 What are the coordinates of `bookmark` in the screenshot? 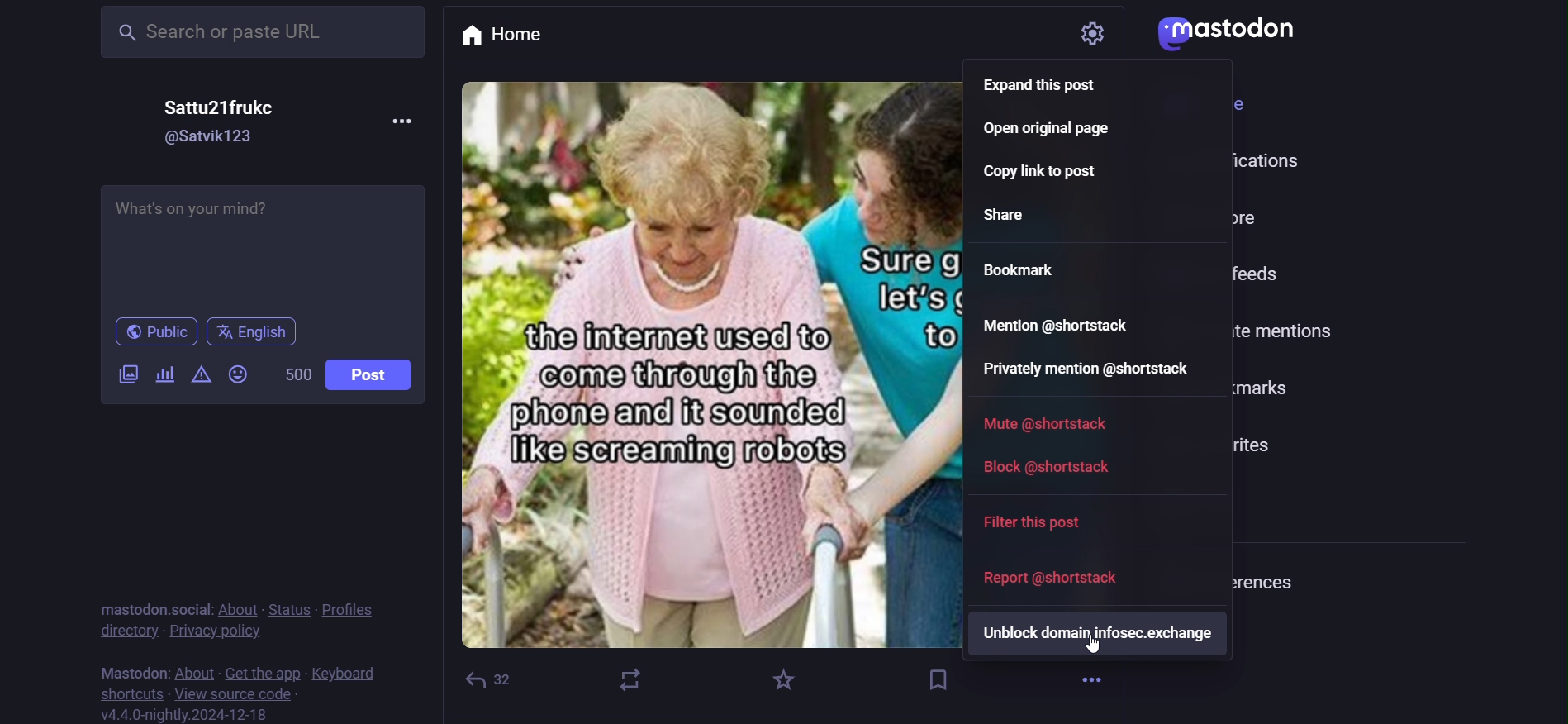 It's located at (1024, 270).